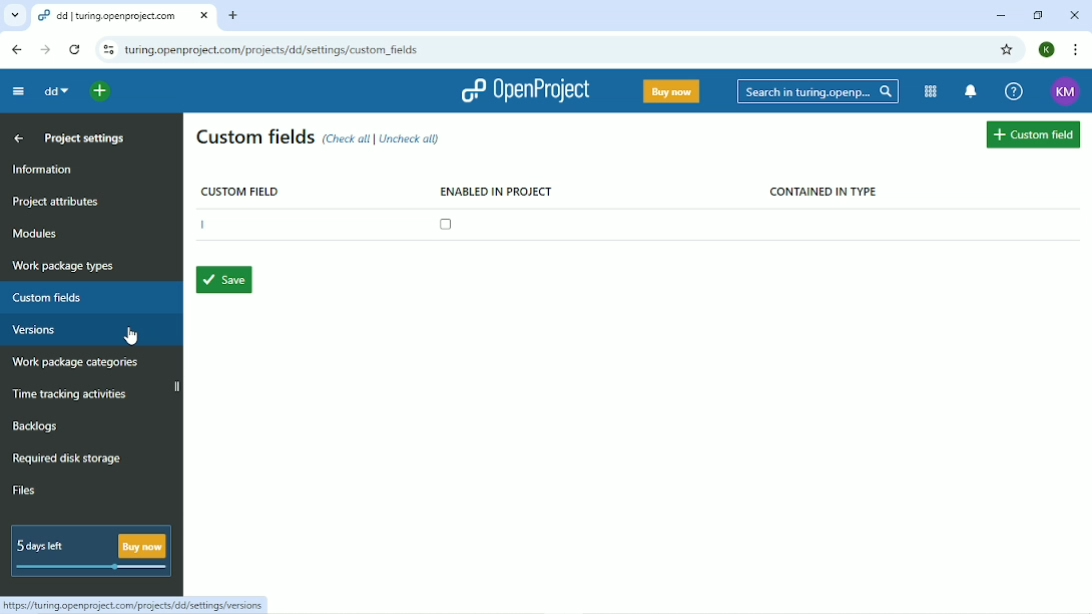 This screenshot has width=1092, height=614. Describe the element at coordinates (818, 92) in the screenshot. I see `Search in Turing.opening` at that location.